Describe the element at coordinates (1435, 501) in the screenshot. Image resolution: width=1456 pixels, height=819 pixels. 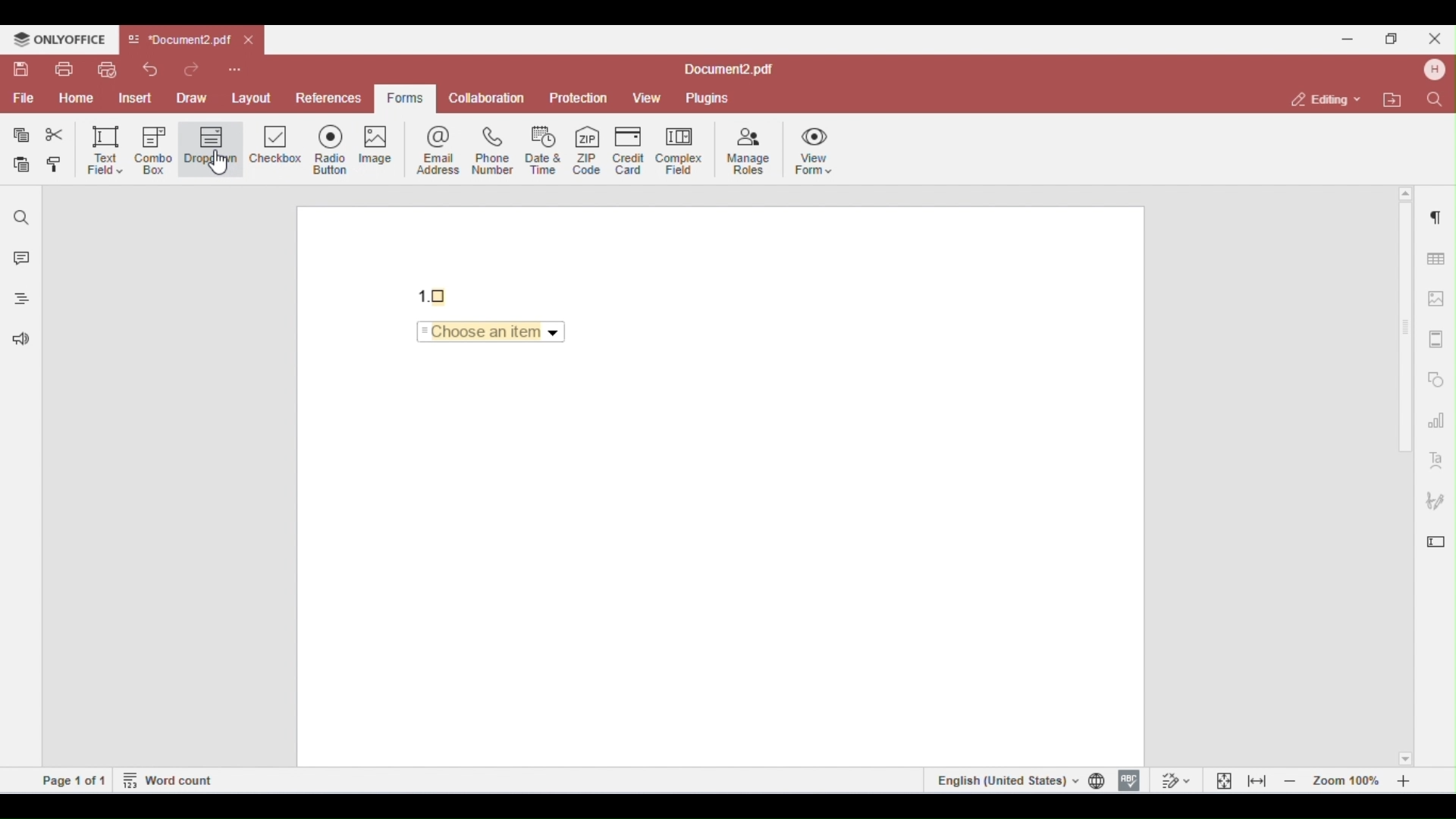
I see `signature settings` at that location.